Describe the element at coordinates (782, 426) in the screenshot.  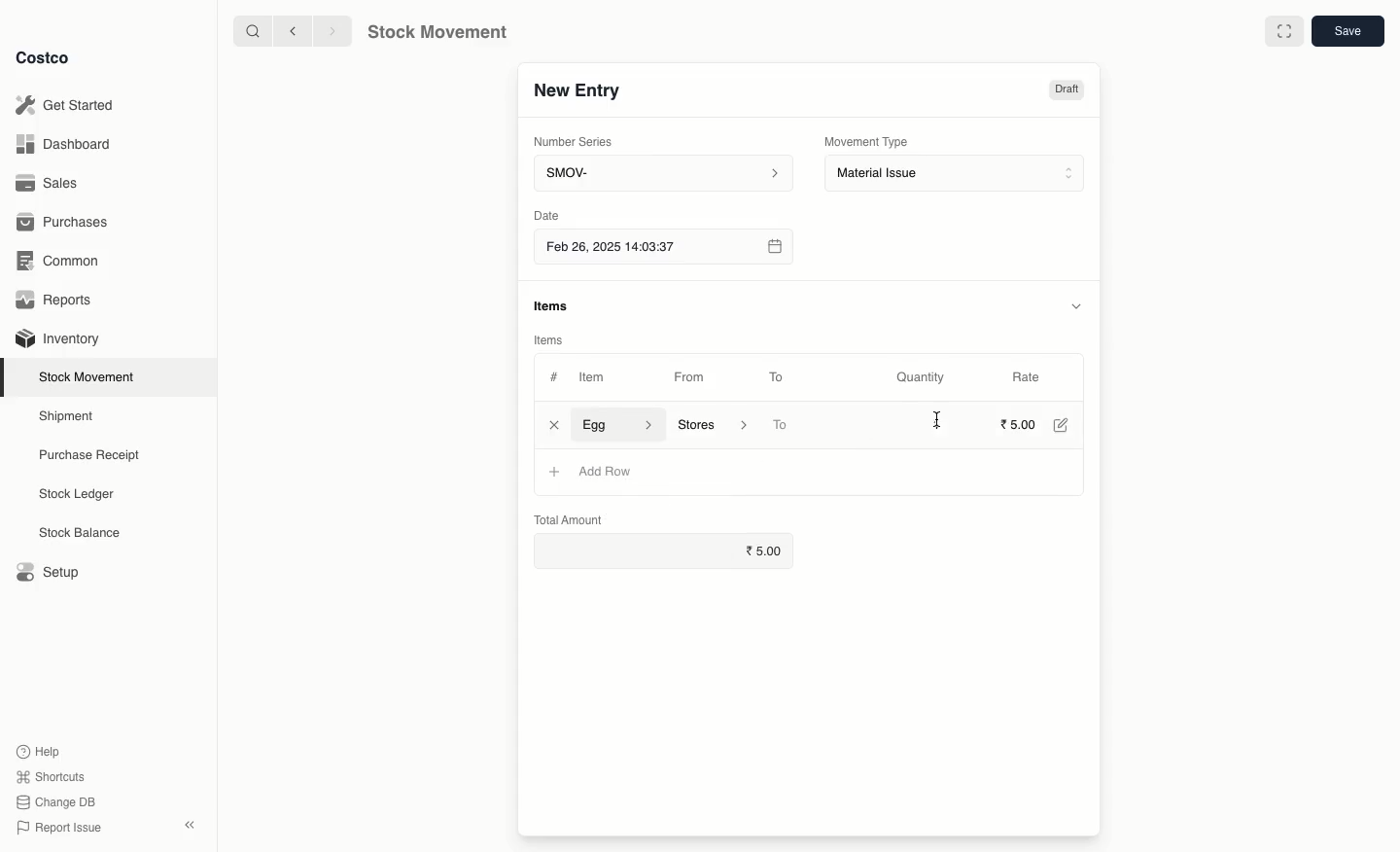
I see `To` at that location.